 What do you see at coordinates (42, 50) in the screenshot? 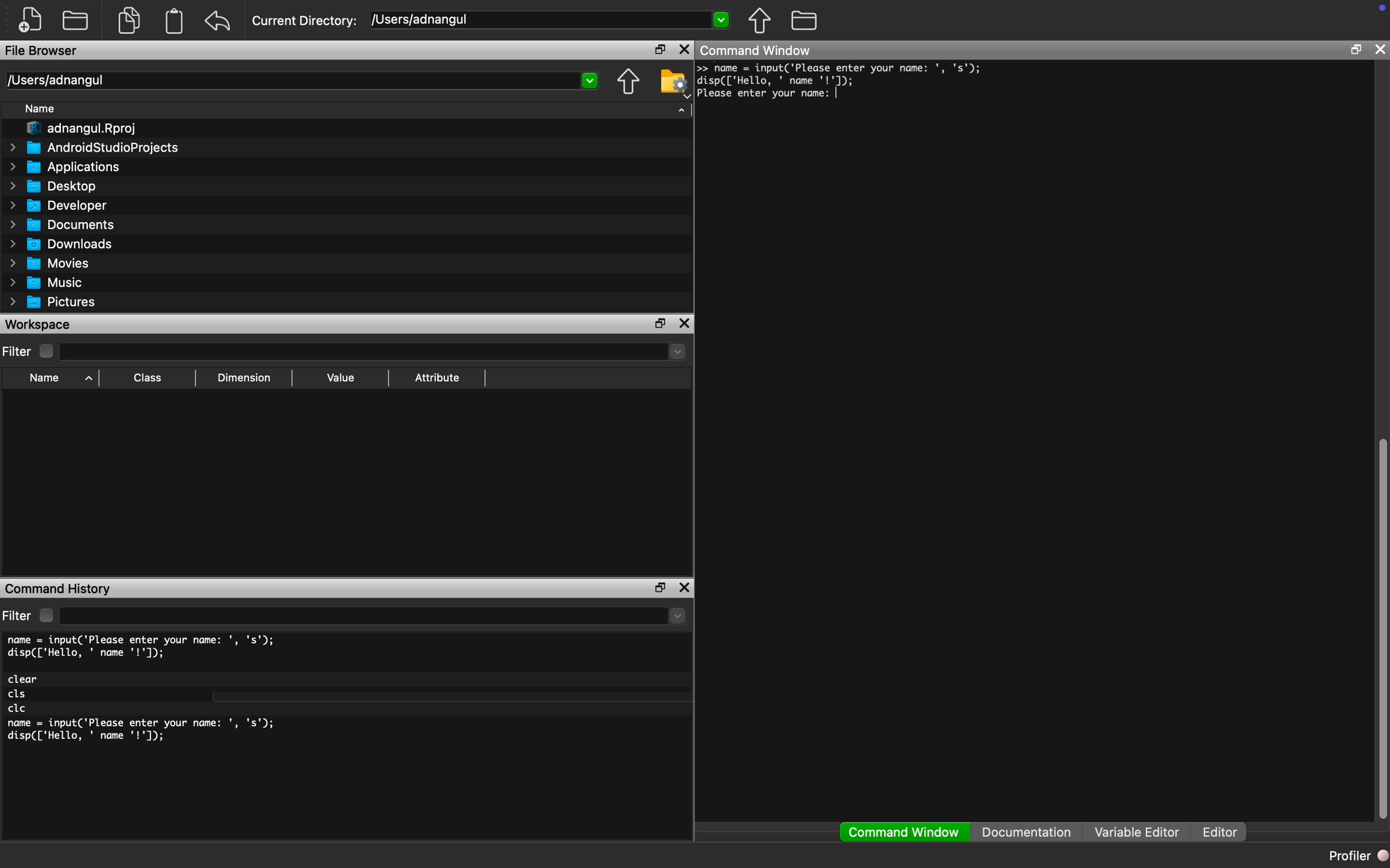
I see `File Browser` at bounding box center [42, 50].